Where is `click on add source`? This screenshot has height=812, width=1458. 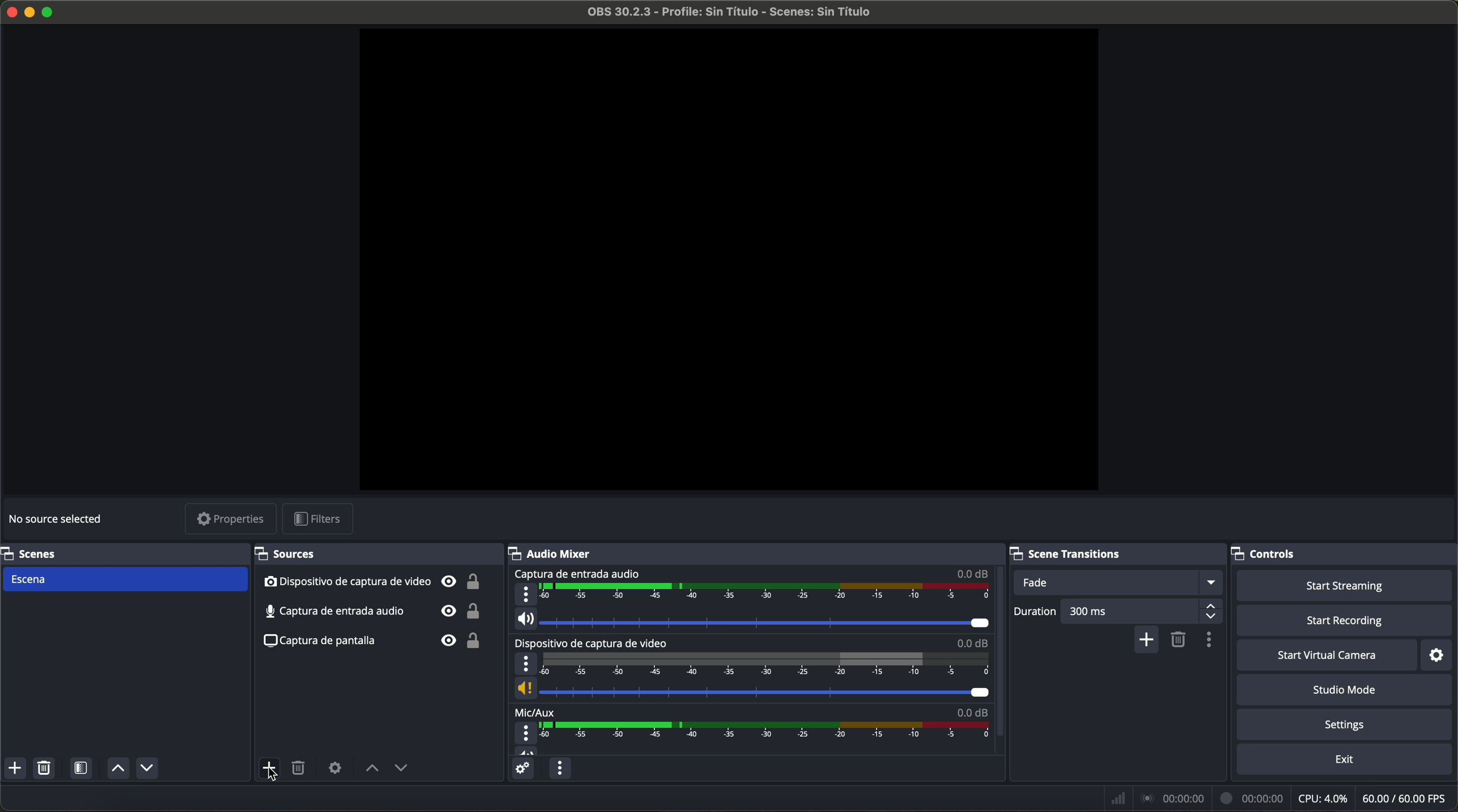
click on add source is located at coordinates (272, 769).